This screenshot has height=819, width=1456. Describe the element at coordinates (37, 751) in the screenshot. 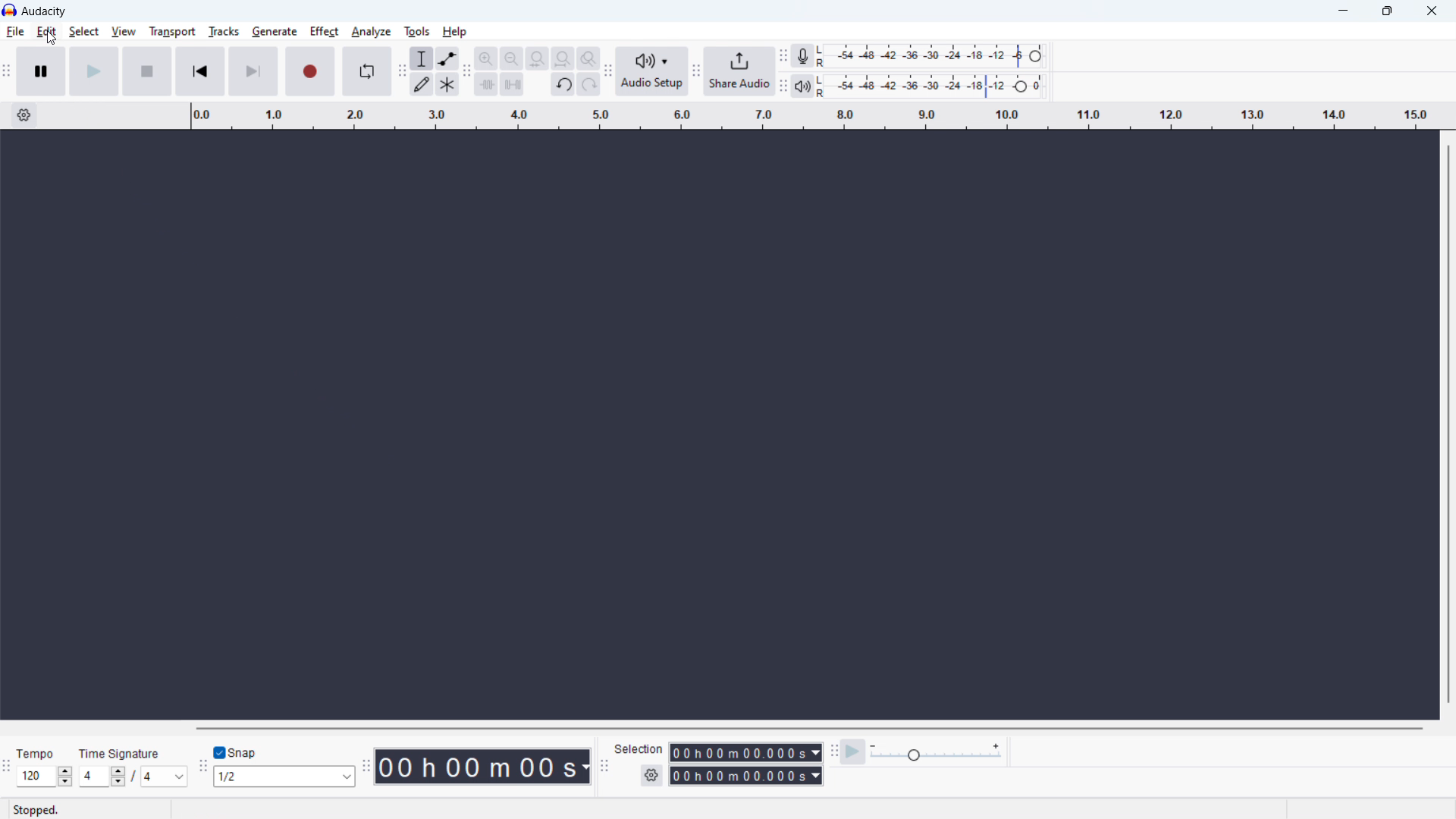

I see `Tempo` at that location.